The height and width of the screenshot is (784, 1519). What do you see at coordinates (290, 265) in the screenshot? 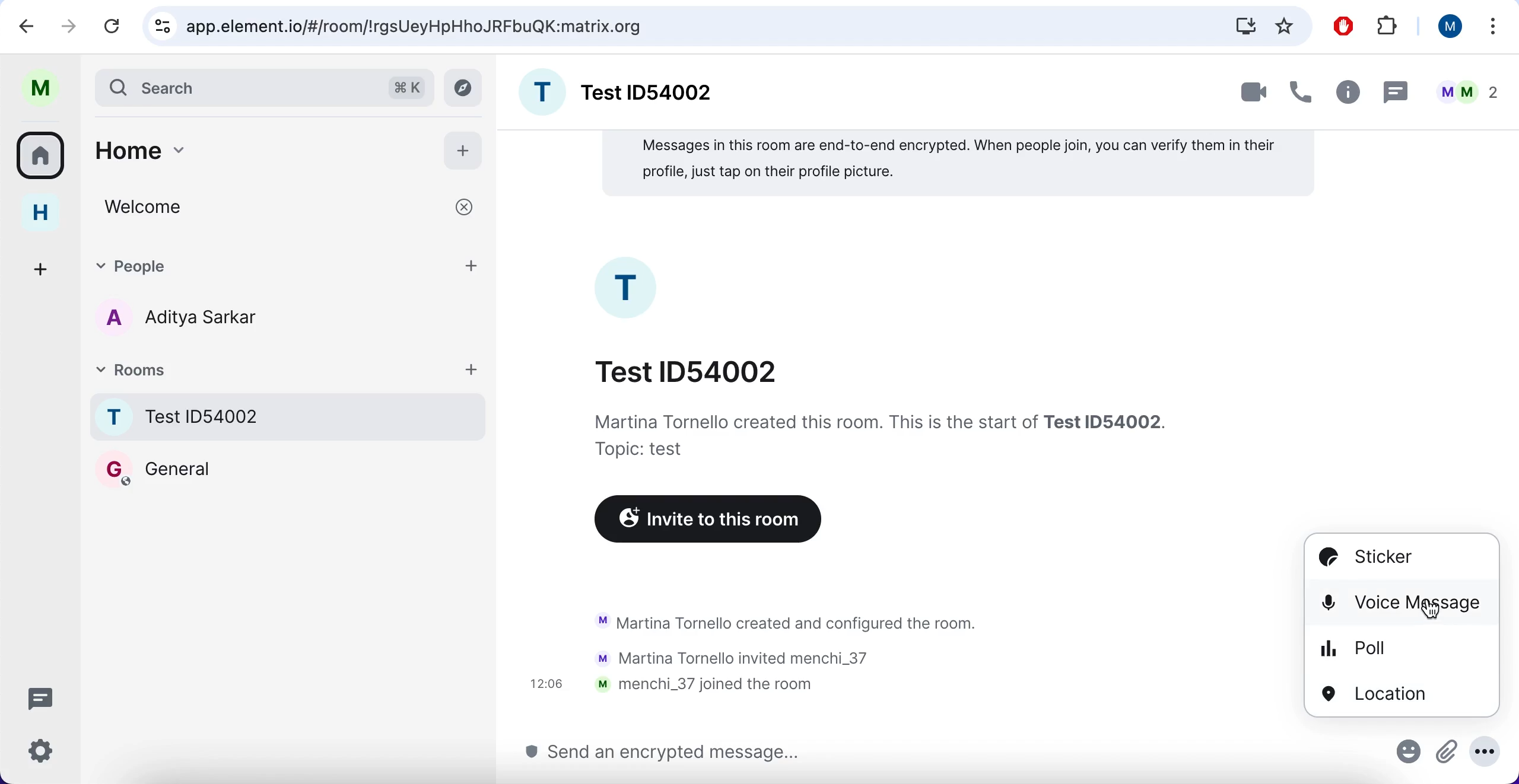
I see `people` at bounding box center [290, 265].